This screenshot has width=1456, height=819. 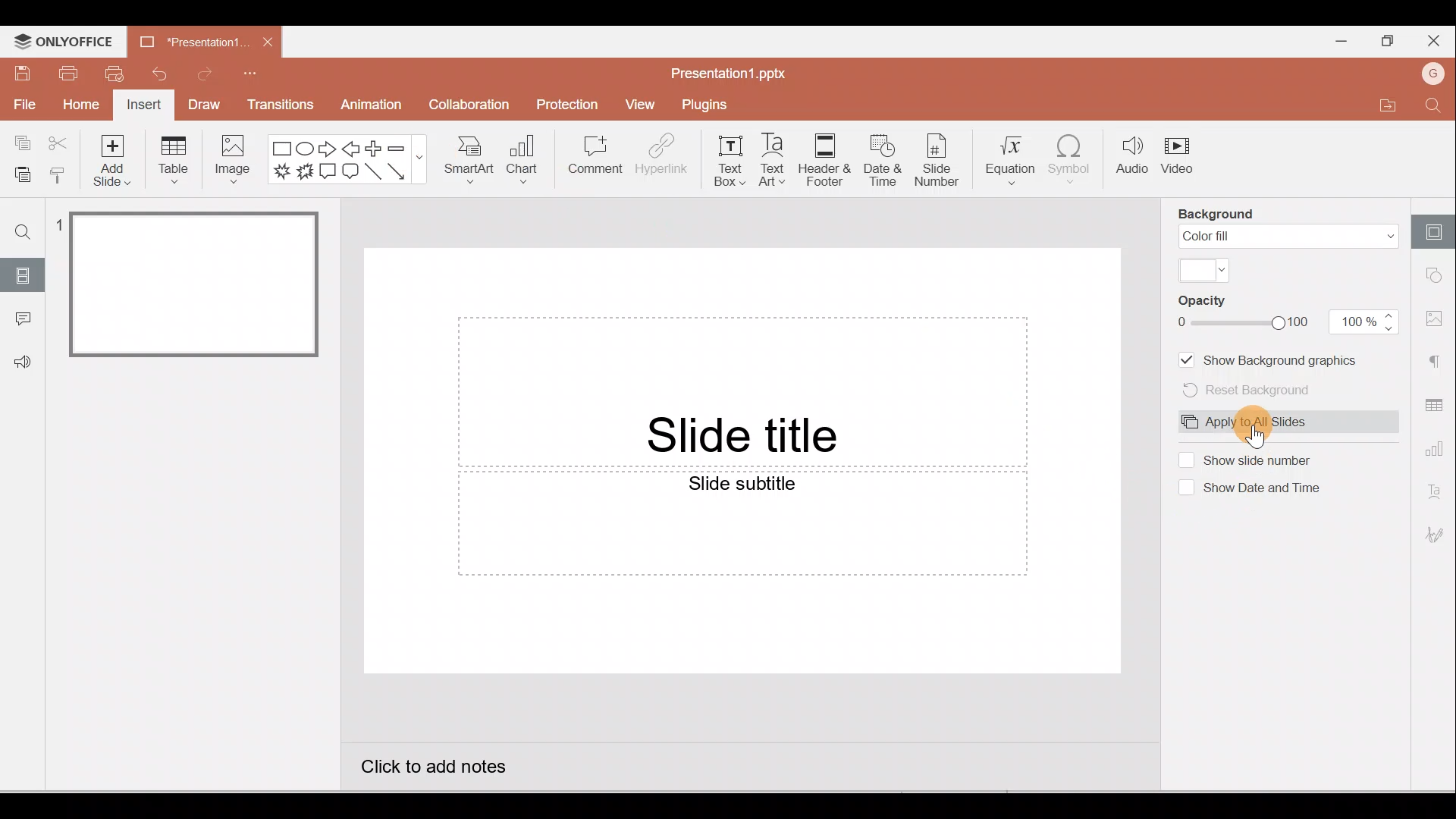 What do you see at coordinates (1437, 359) in the screenshot?
I see `Paragraph settings` at bounding box center [1437, 359].